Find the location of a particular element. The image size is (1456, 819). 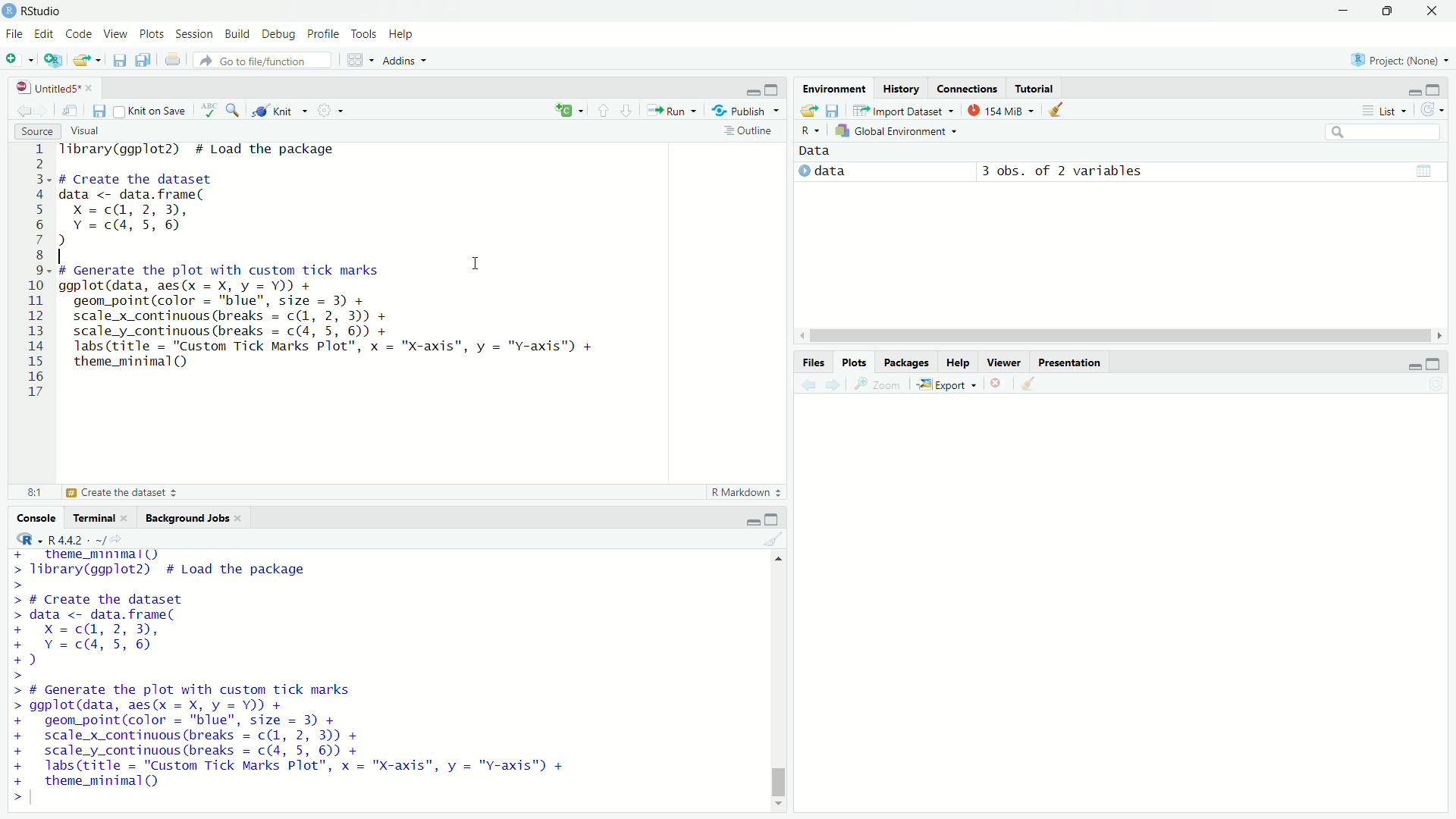

run the current line or selection is located at coordinates (676, 111).